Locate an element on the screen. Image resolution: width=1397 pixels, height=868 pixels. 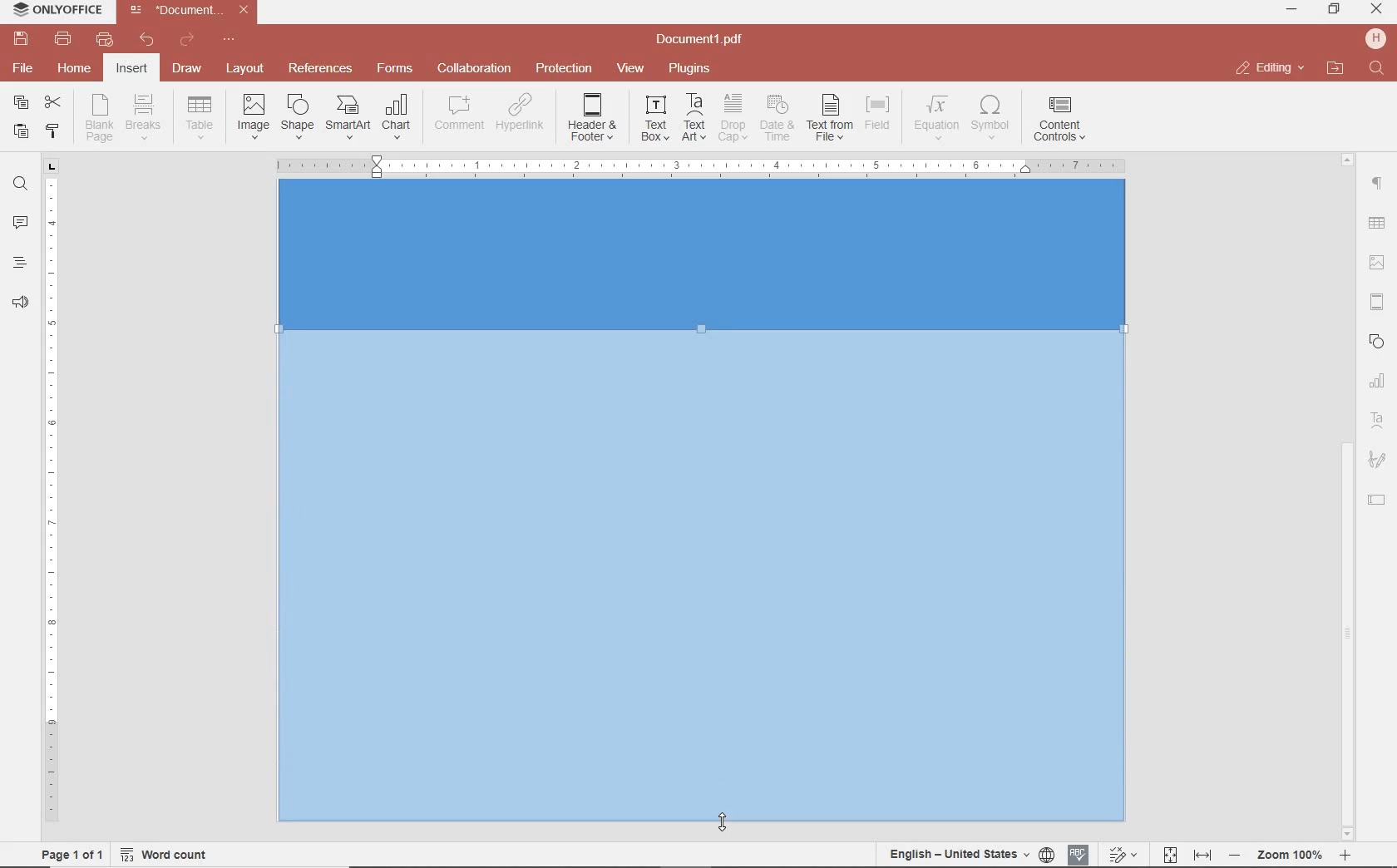
TEXT FROM  FILE is located at coordinates (830, 118).